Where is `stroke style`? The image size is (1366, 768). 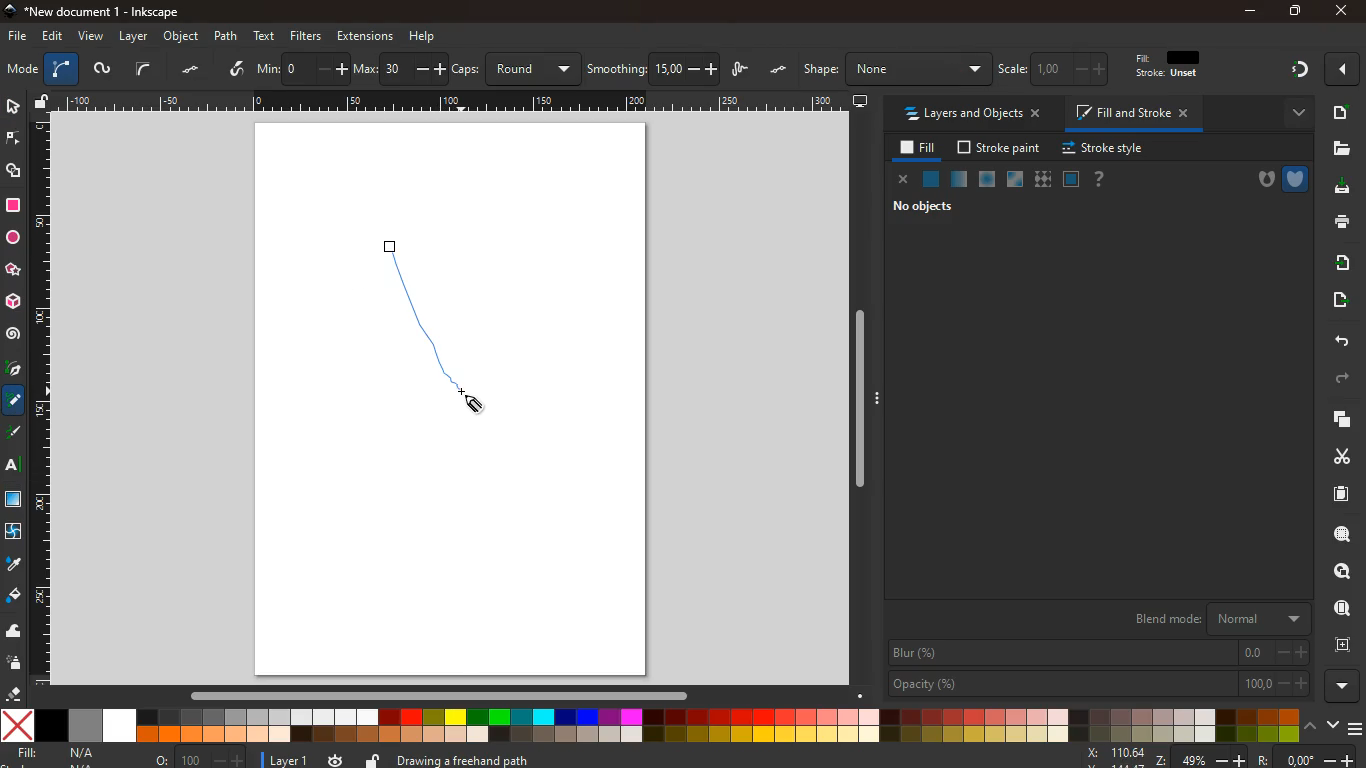
stroke style is located at coordinates (1106, 149).